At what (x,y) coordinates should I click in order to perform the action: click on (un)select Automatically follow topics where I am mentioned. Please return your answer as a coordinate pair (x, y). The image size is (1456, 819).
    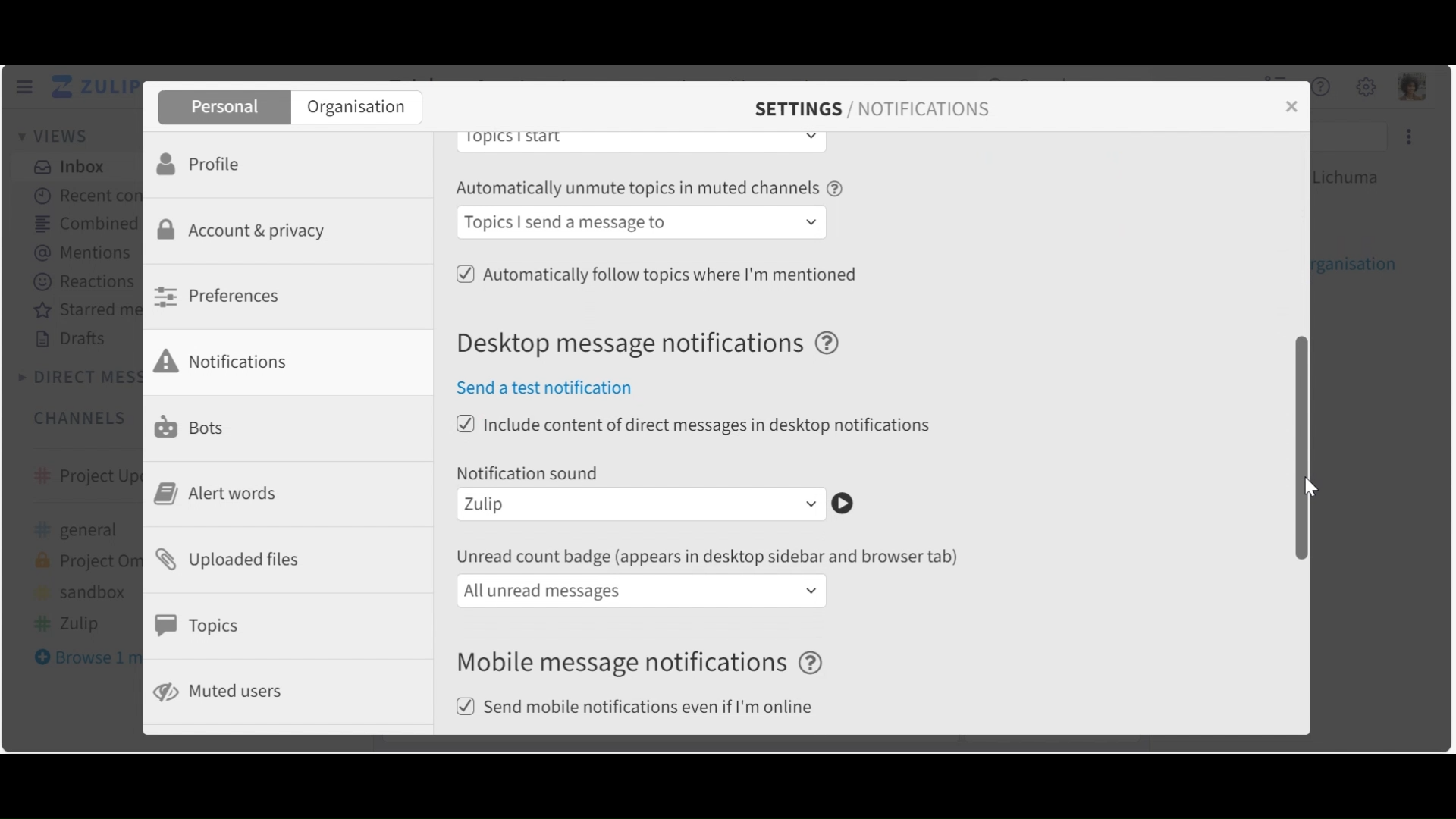
    Looking at the image, I should click on (656, 272).